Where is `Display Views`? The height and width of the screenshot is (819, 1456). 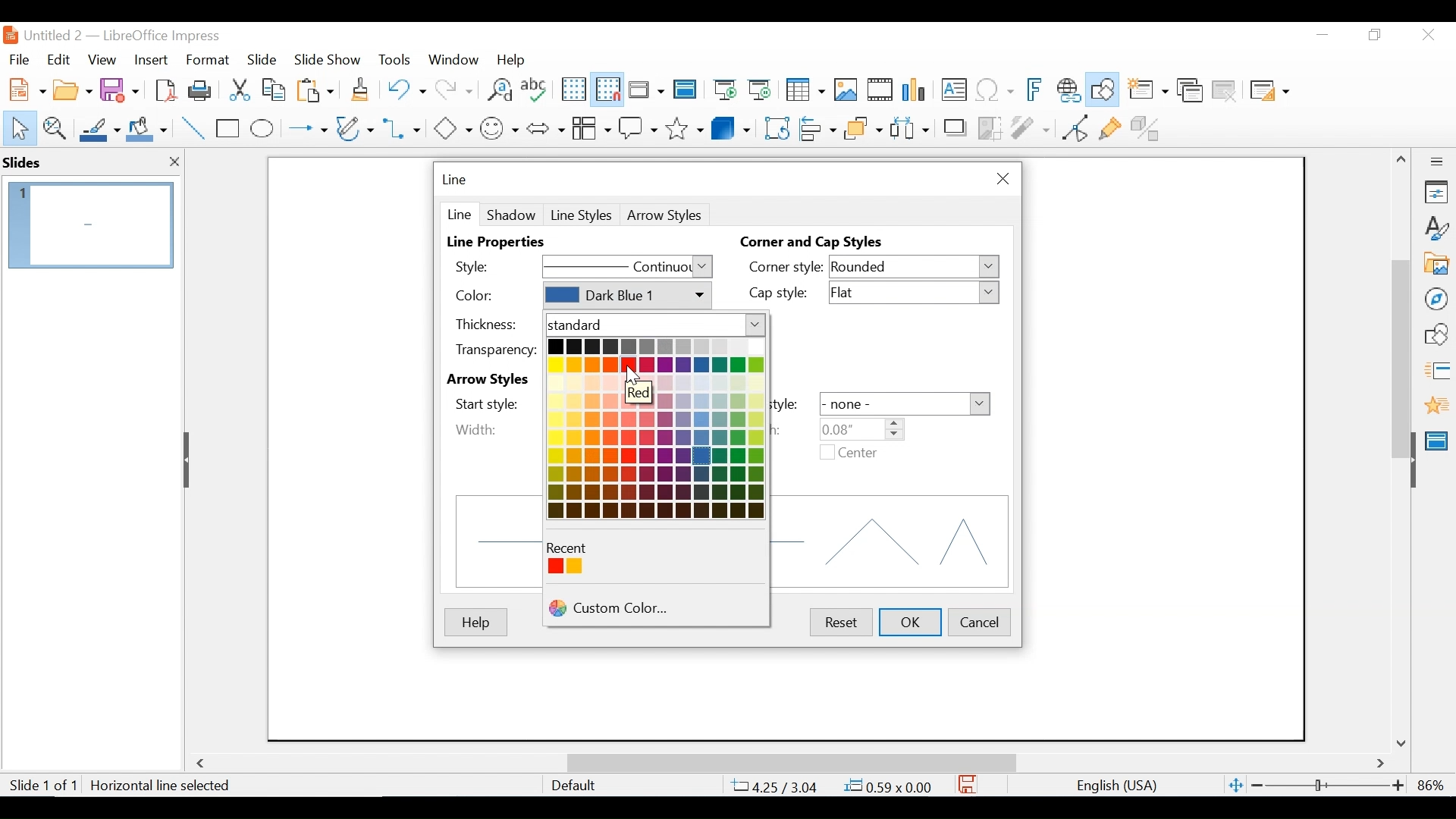 Display Views is located at coordinates (645, 91).